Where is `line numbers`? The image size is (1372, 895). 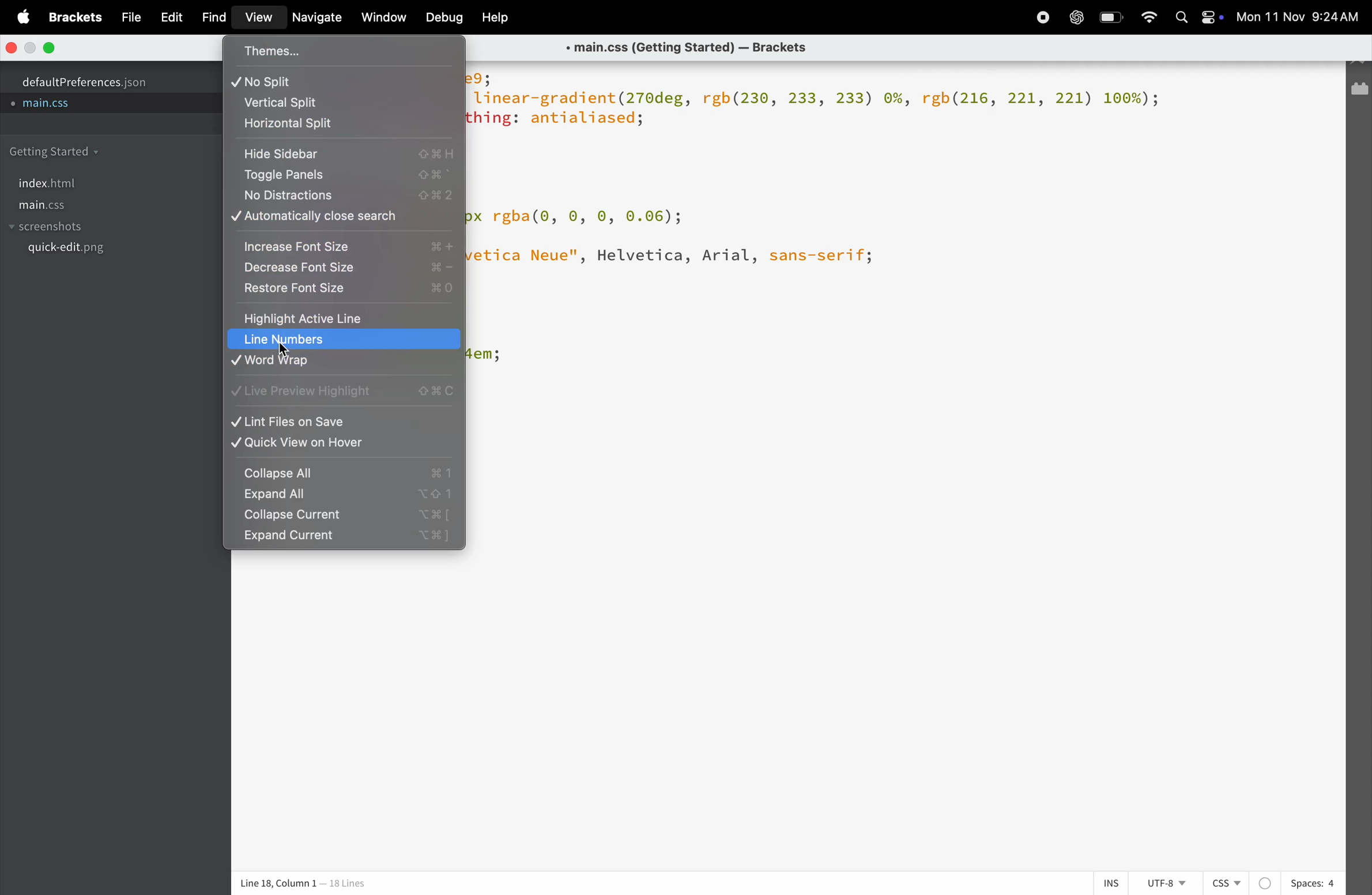
line numbers is located at coordinates (344, 339).